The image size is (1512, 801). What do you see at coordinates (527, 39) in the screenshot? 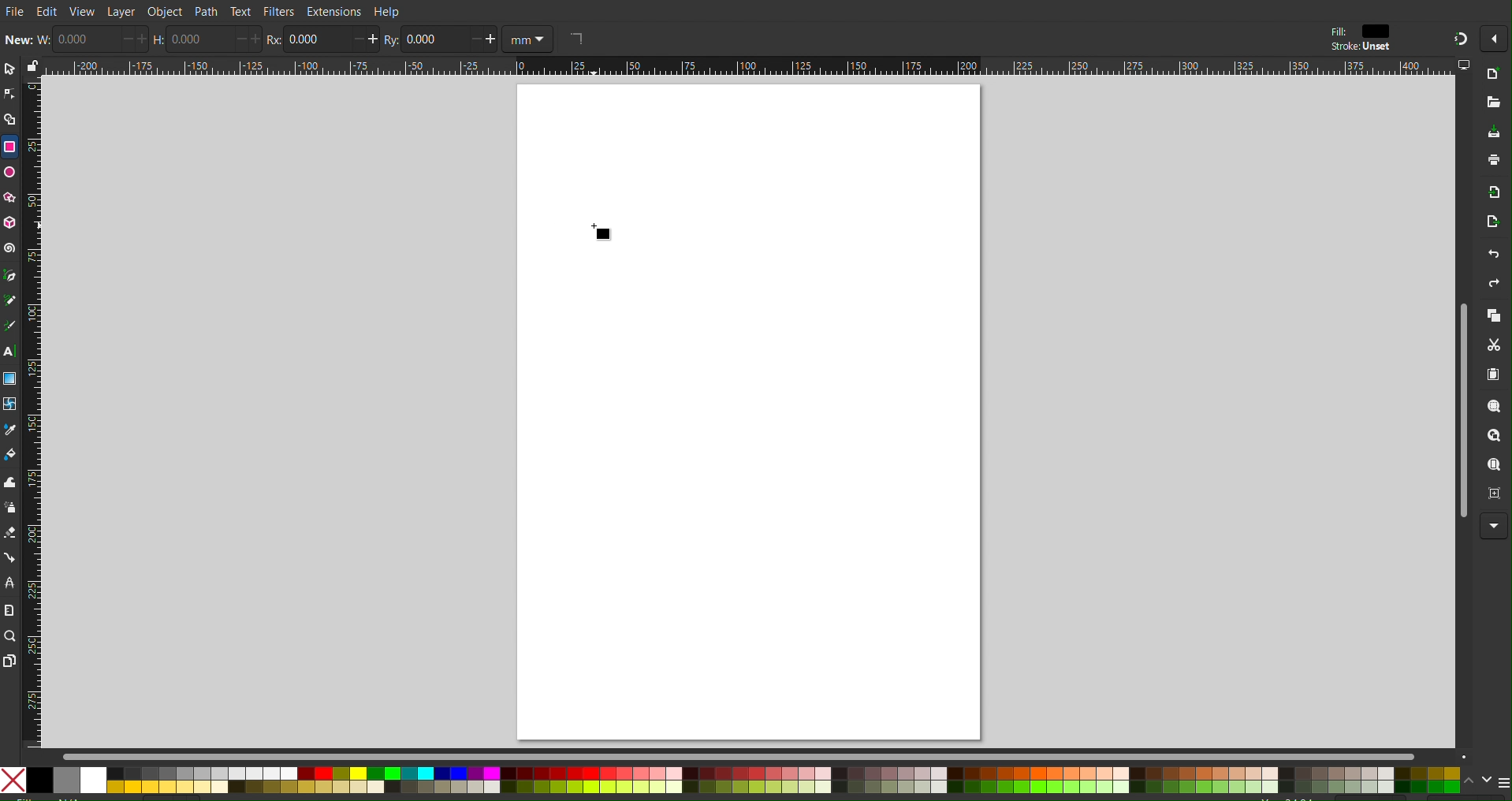
I see `Units` at bounding box center [527, 39].